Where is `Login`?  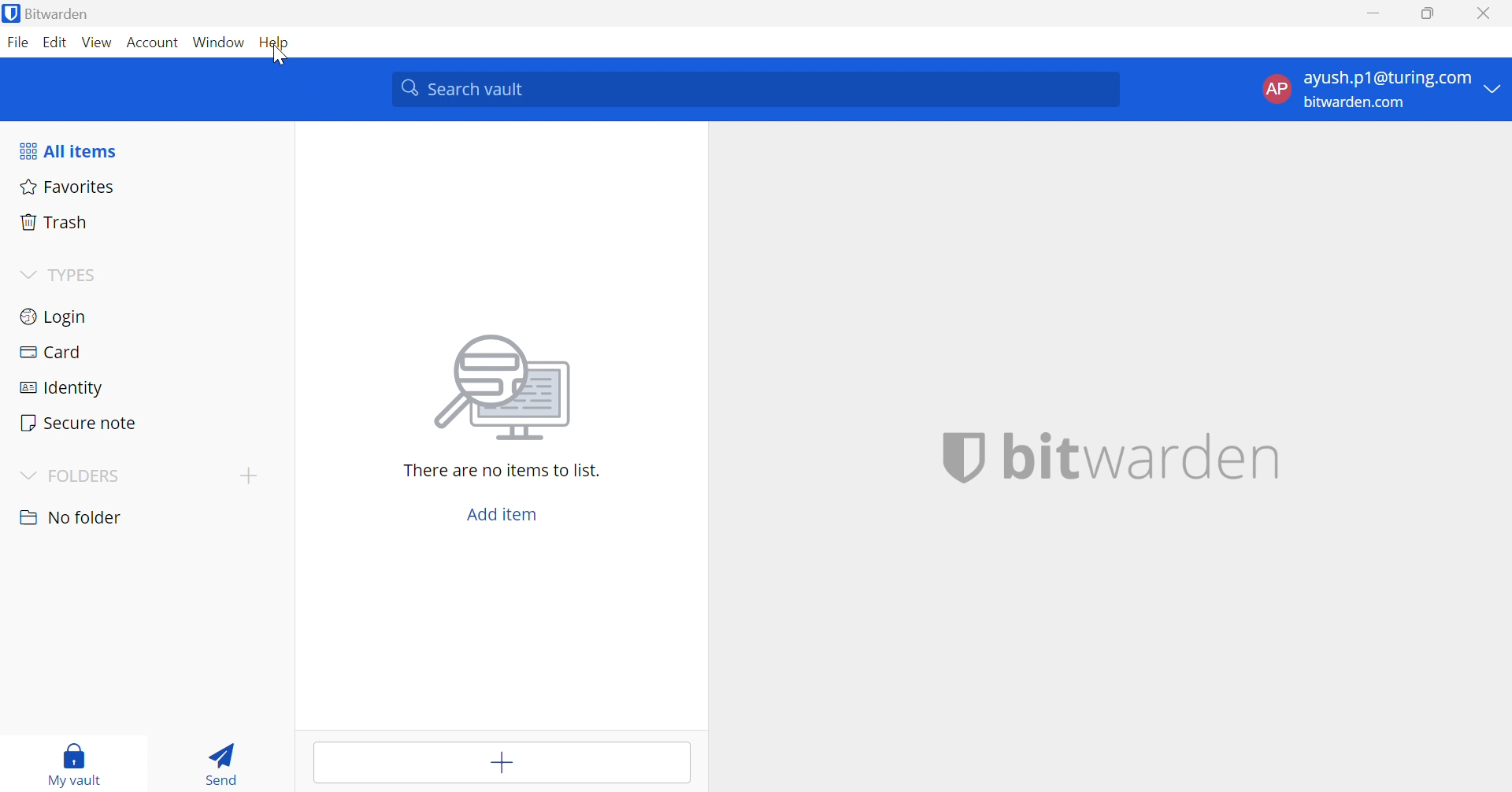
Login is located at coordinates (147, 320).